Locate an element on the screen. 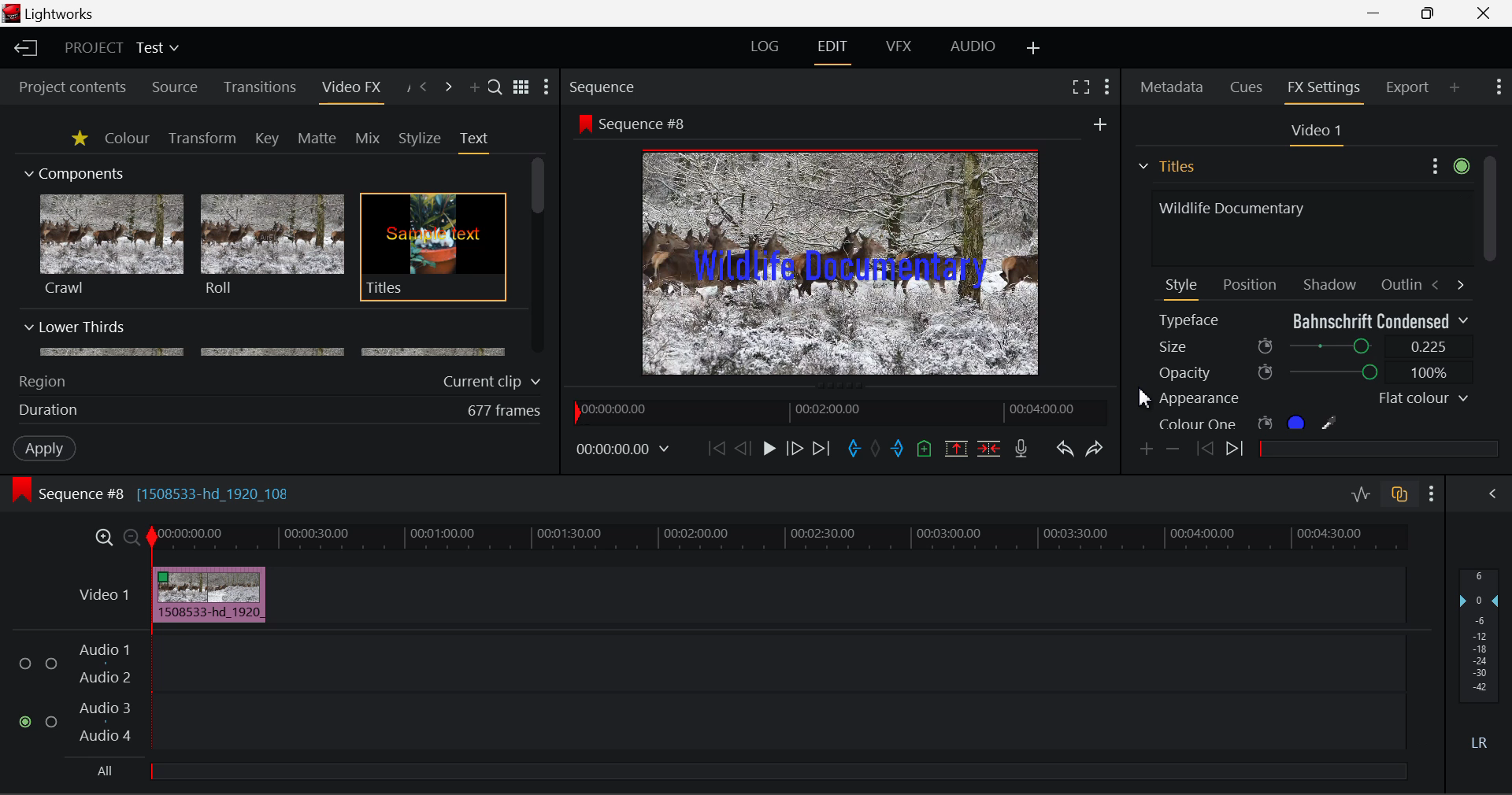  Current clip is located at coordinates (495, 382).